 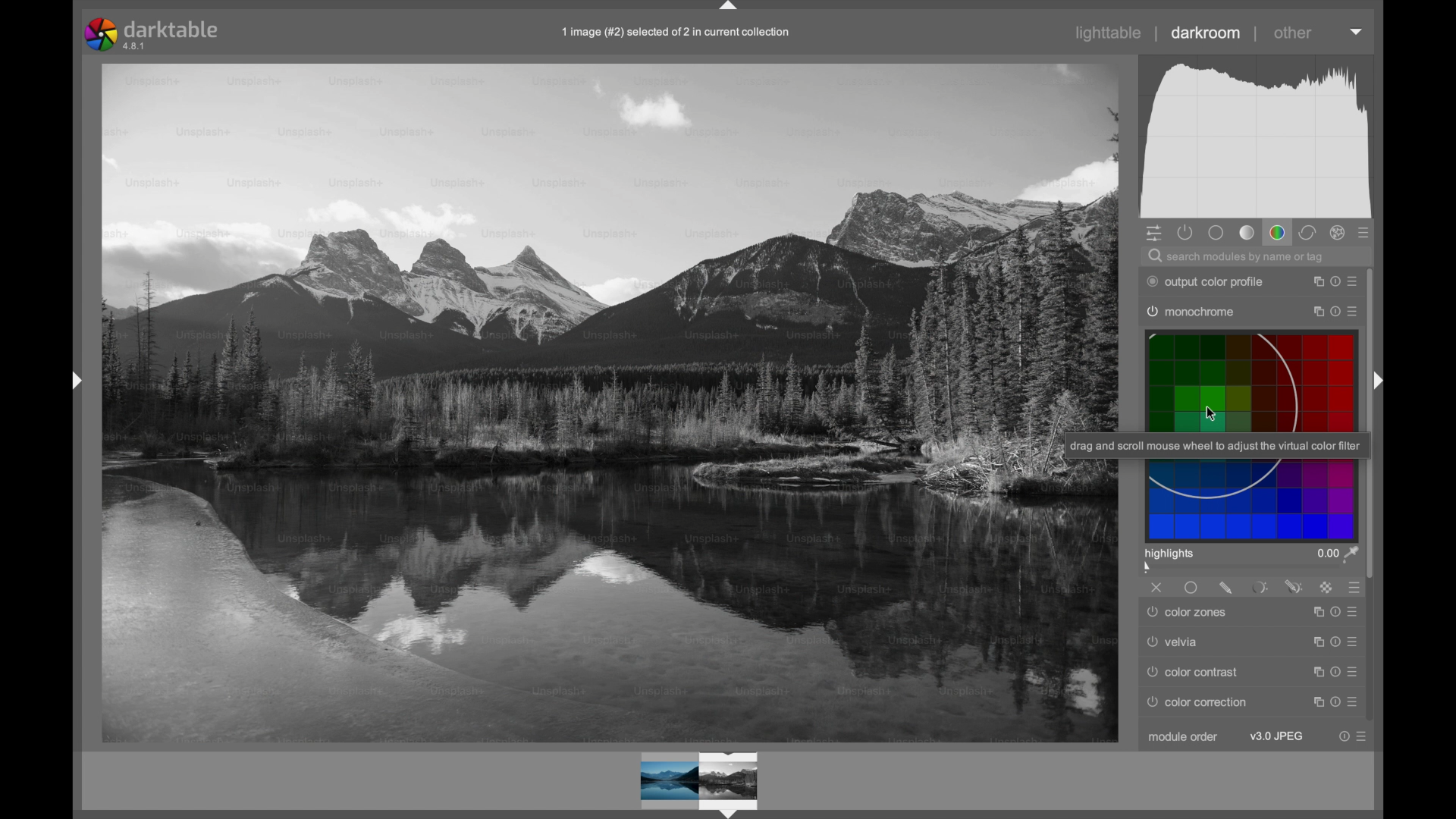 What do you see at coordinates (1357, 671) in the screenshot?
I see `presets` at bounding box center [1357, 671].